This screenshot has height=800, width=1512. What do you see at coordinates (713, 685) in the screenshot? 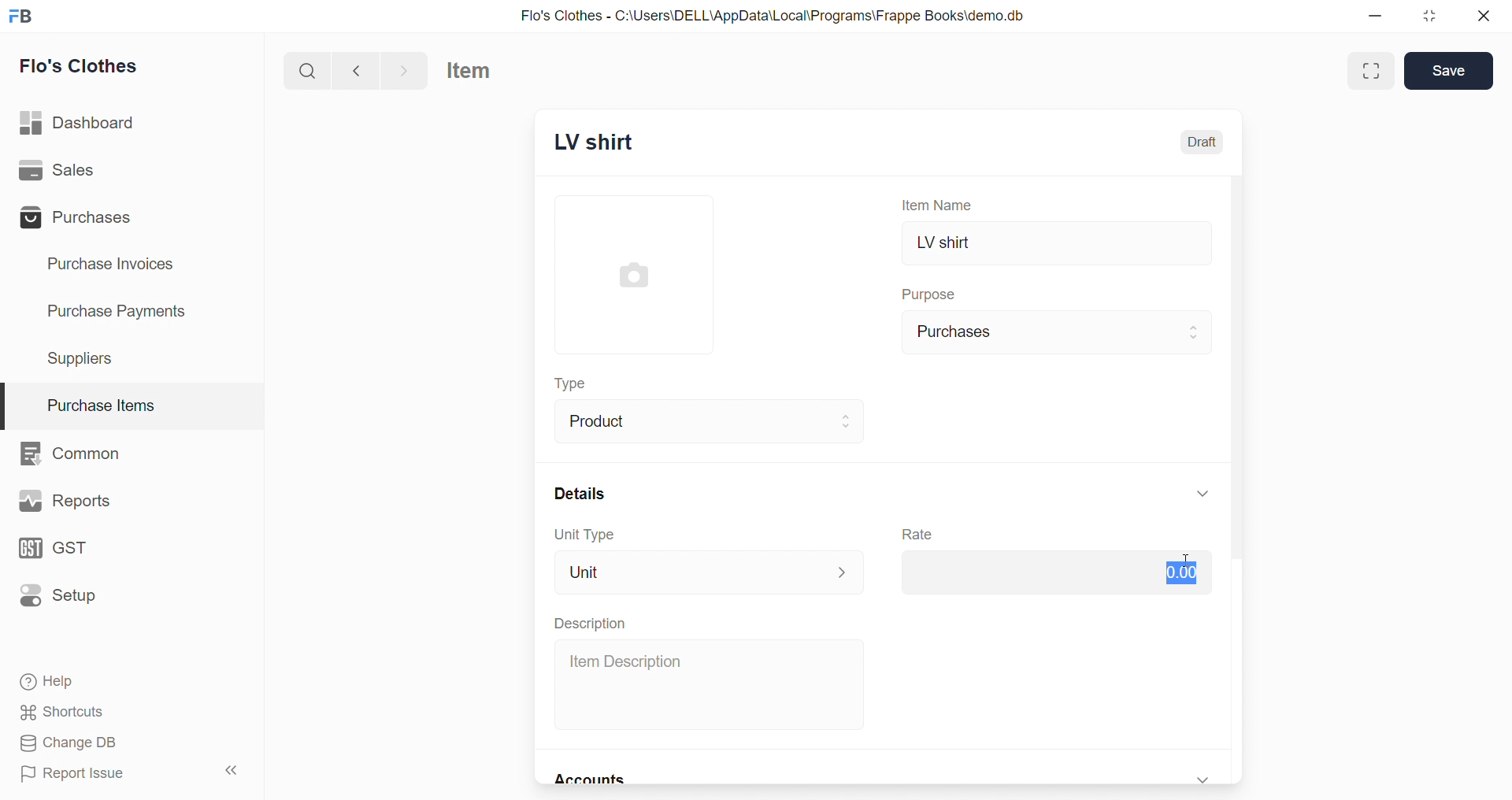
I see `Item Description` at bounding box center [713, 685].